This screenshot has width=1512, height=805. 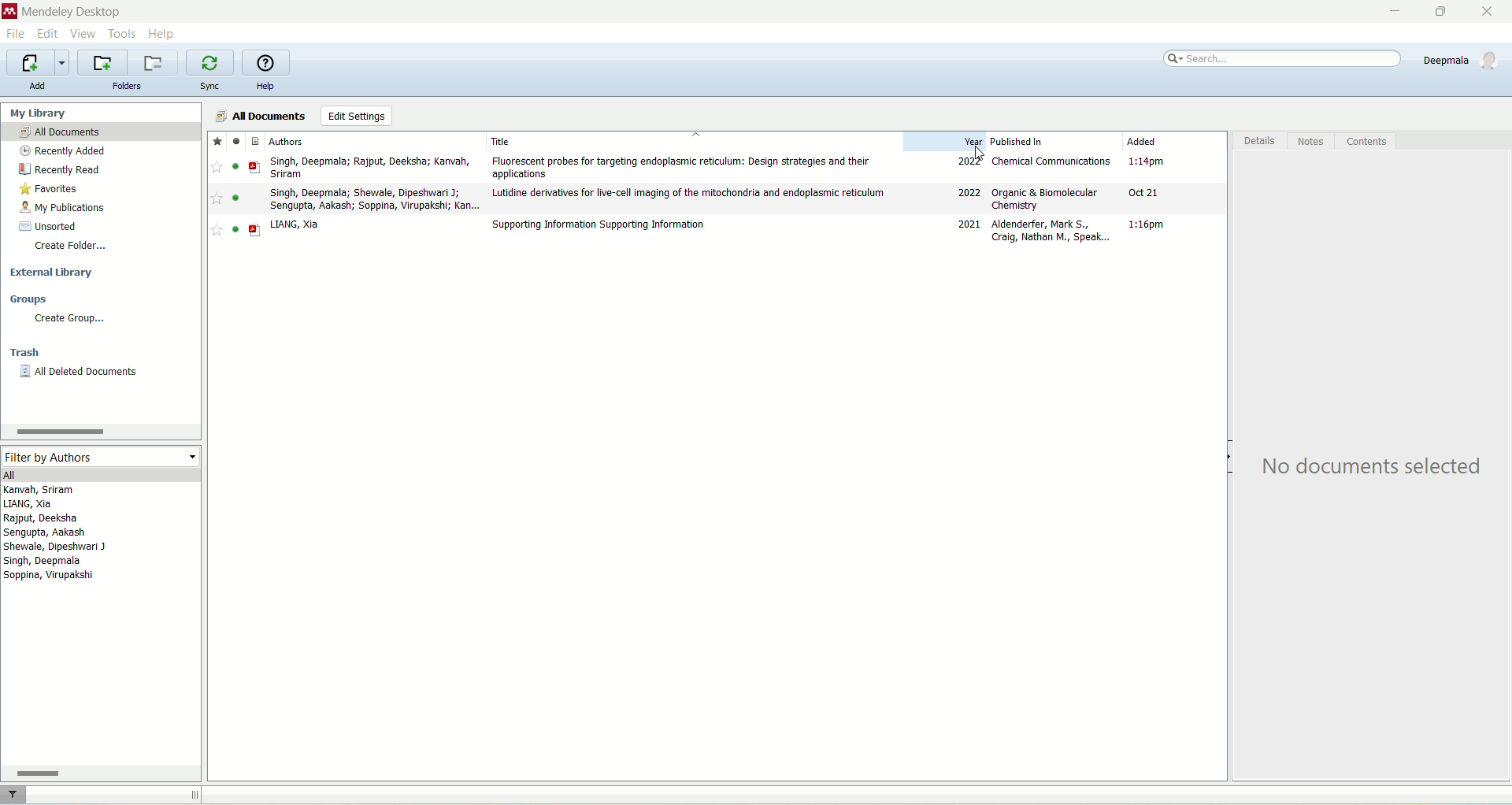 What do you see at coordinates (29, 299) in the screenshot?
I see `groups` at bounding box center [29, 299].